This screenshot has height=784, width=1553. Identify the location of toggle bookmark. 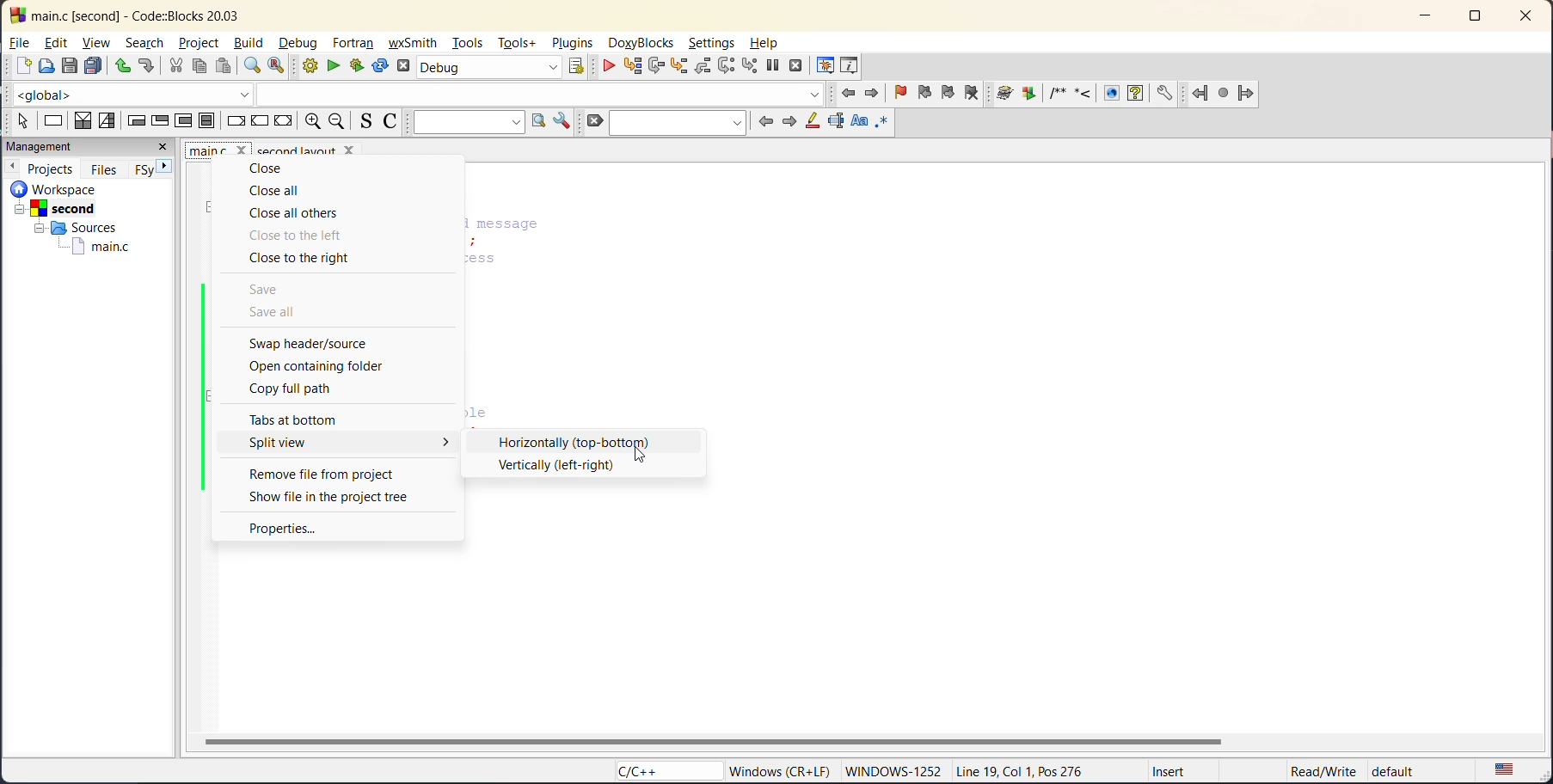
(903, 93).